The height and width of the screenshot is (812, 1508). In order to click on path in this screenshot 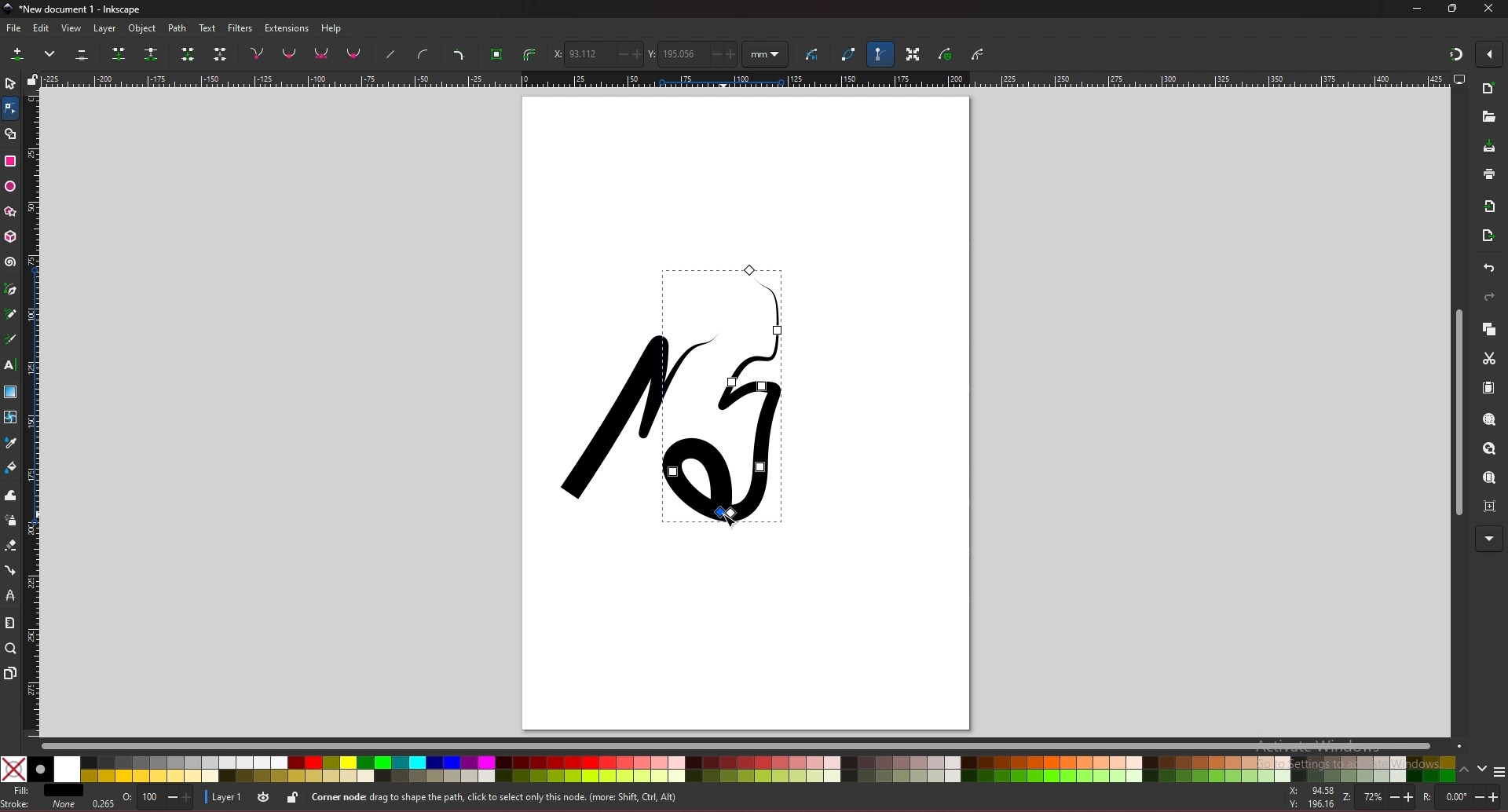, I will do `click(178, 29)`.